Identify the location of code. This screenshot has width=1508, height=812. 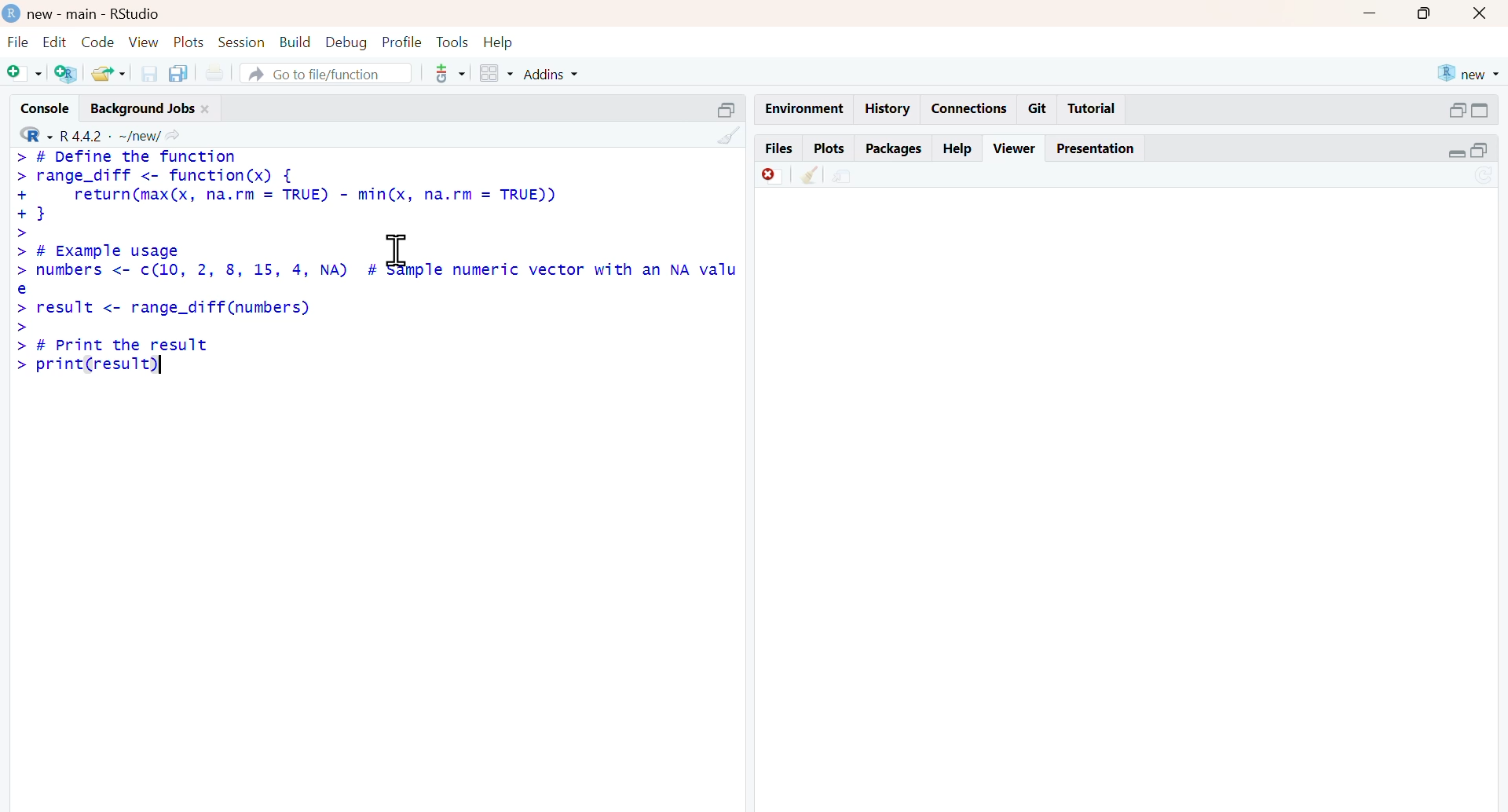
(99, 42).